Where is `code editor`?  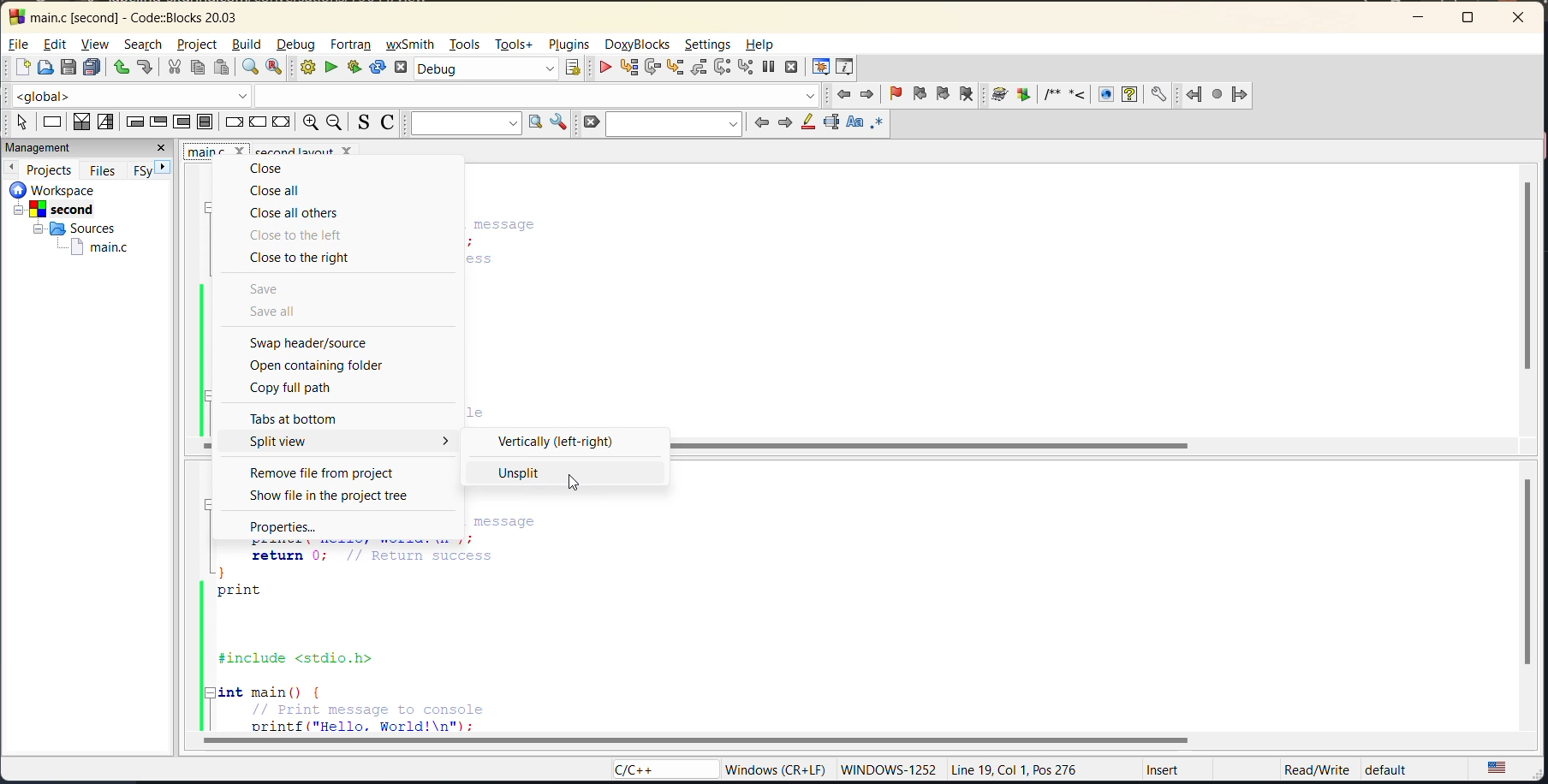 code editor is located at coordinates (481, 636).